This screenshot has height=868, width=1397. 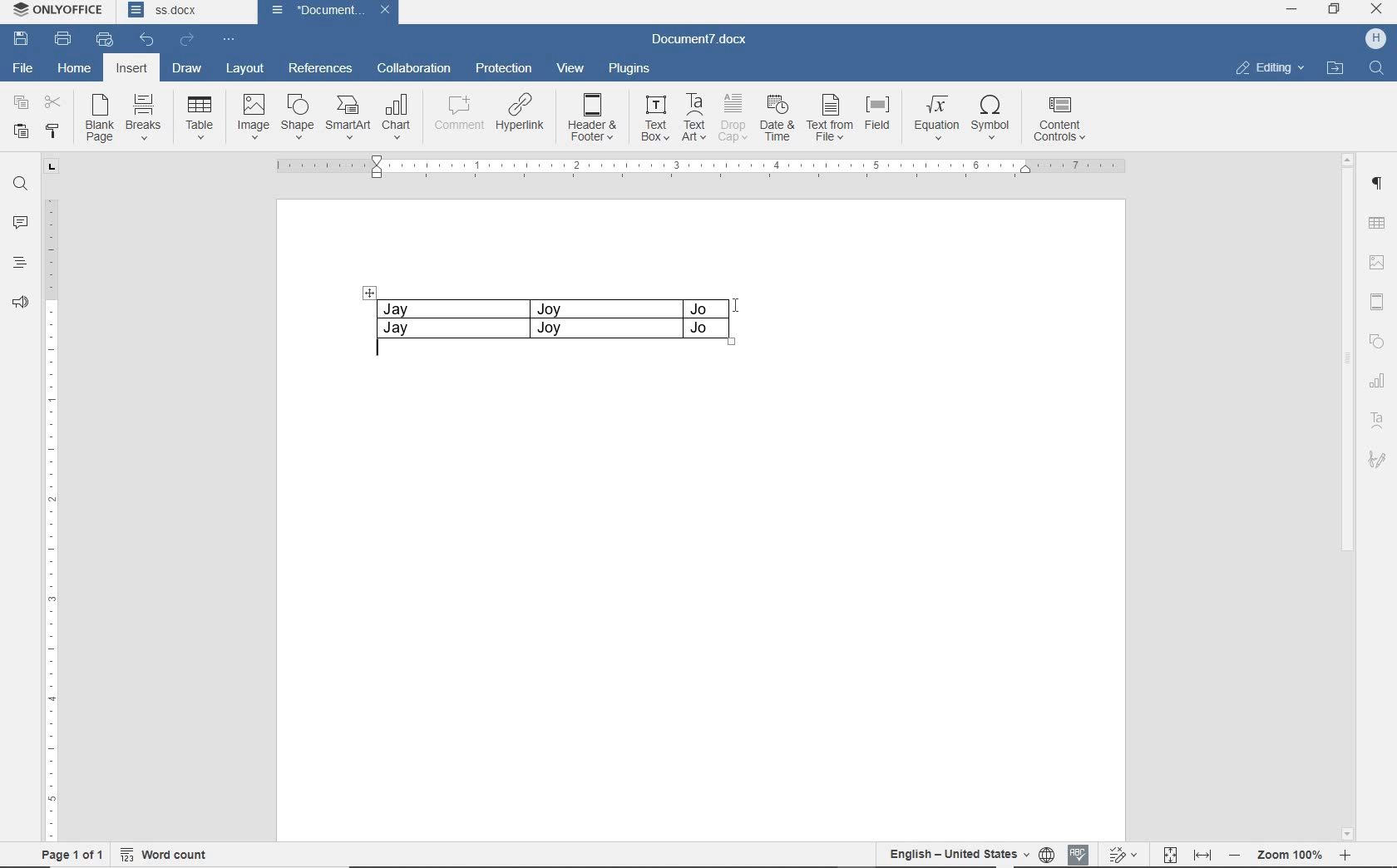 What do you see at coordinates (1377, 264) in the screenshot?
I see `IMAGE` at bounding box center [1377, 264].